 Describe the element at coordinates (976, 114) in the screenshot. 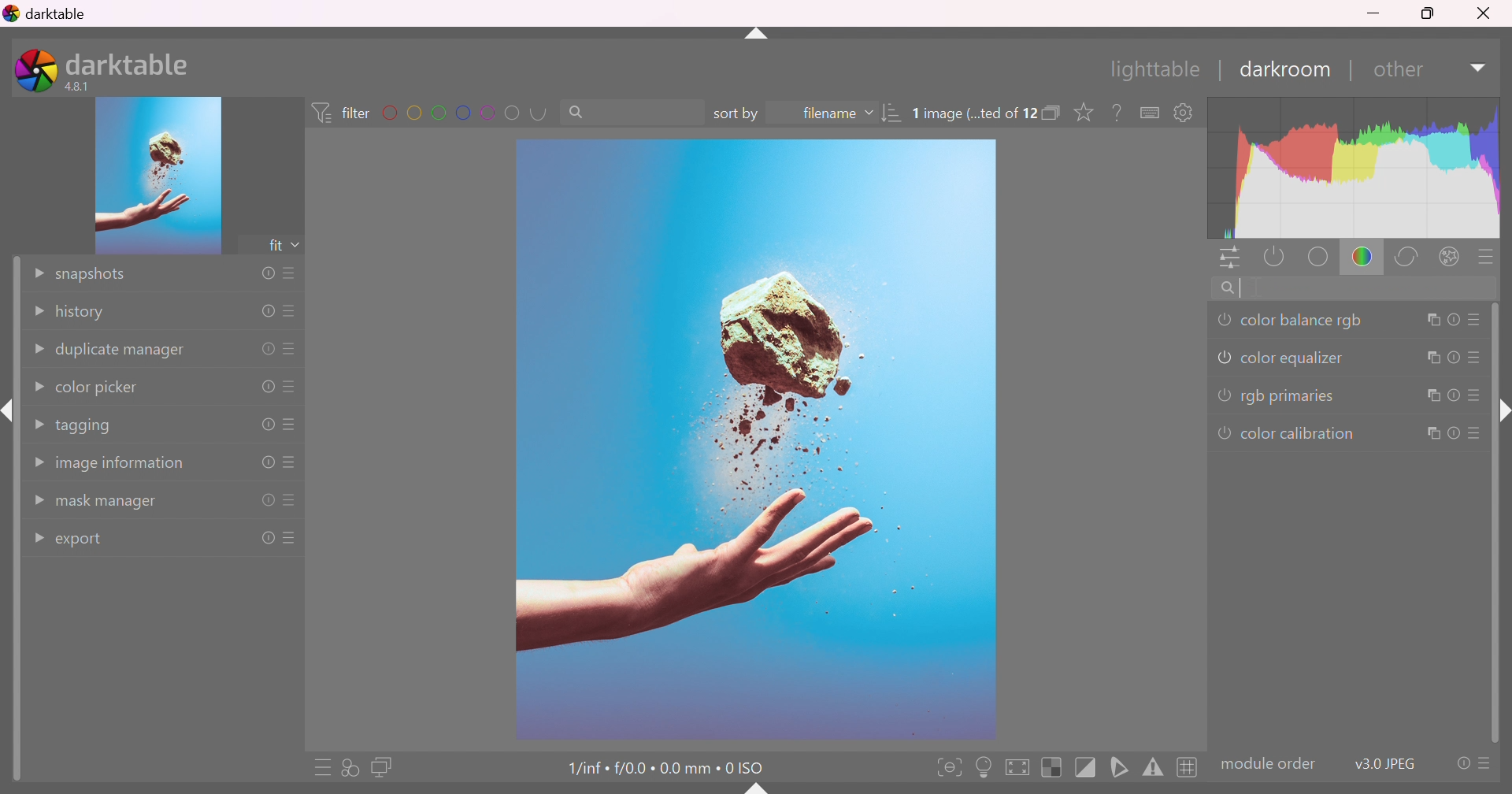

I see `1 image (...ted of 12` at that location.